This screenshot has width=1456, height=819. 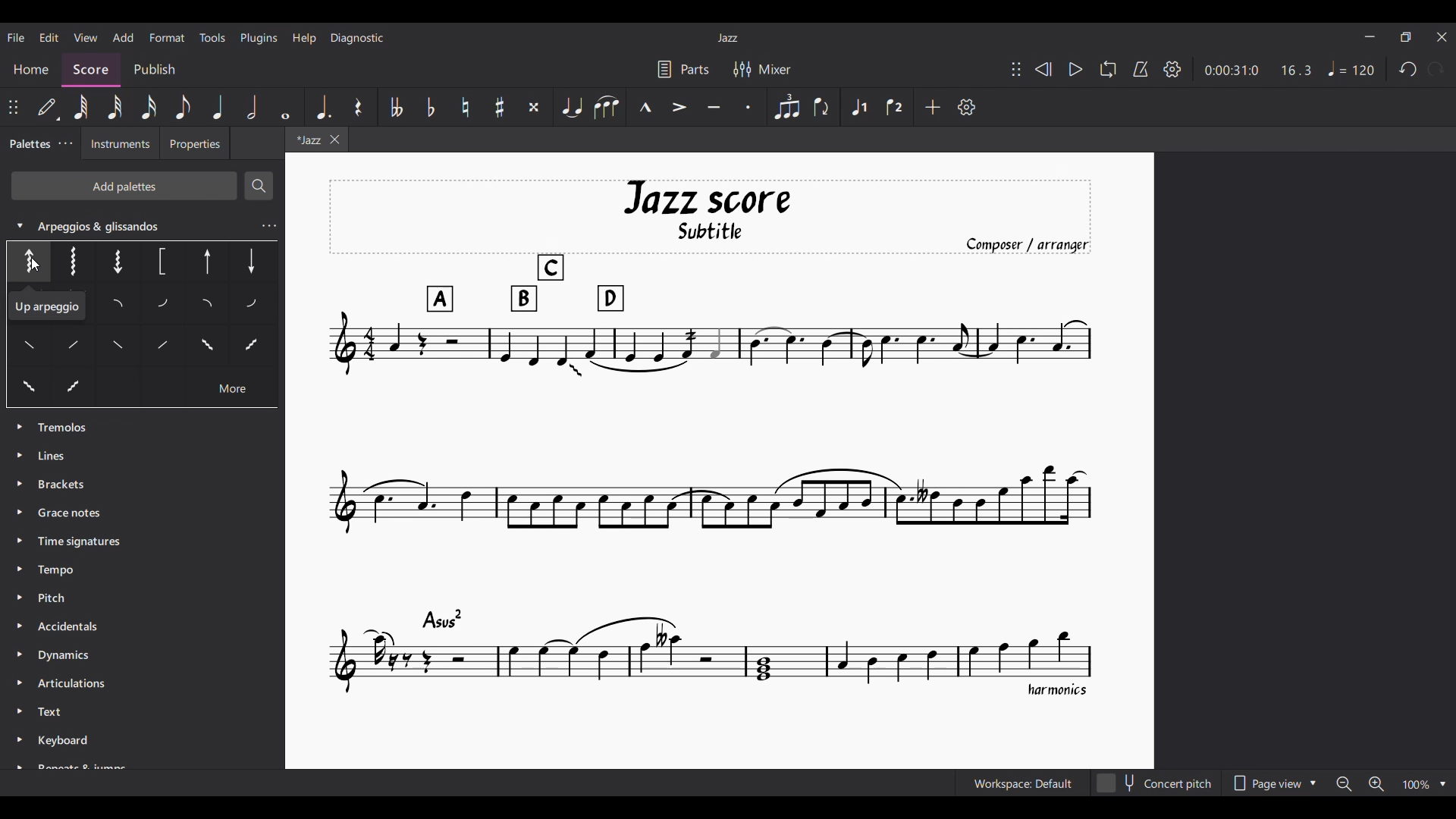 I want to click on Toggle natural, so click(x=466, y=107).